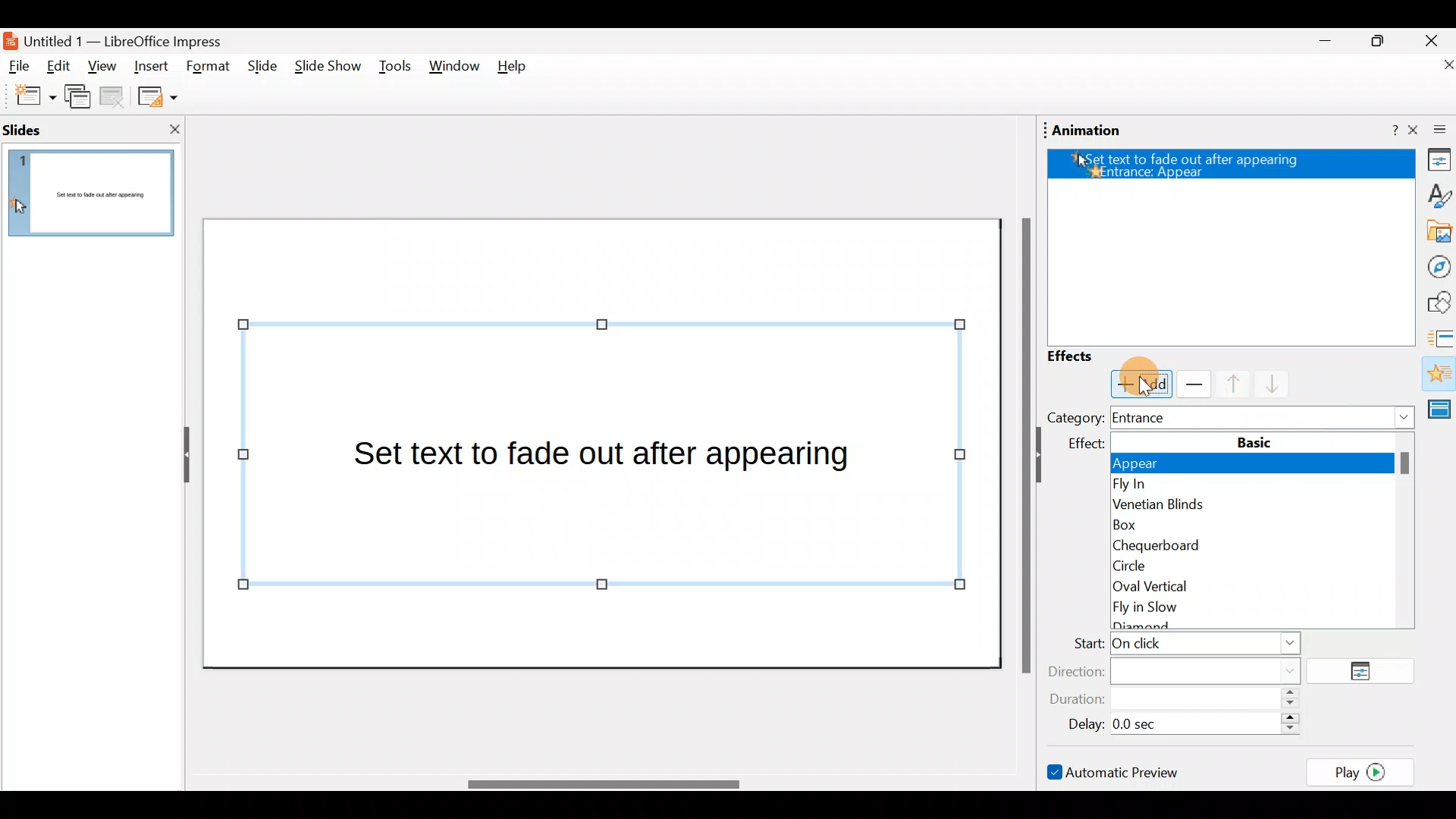 This screenshot has height=819, width=1456. I want to click on Appear, so click(1260, 466).